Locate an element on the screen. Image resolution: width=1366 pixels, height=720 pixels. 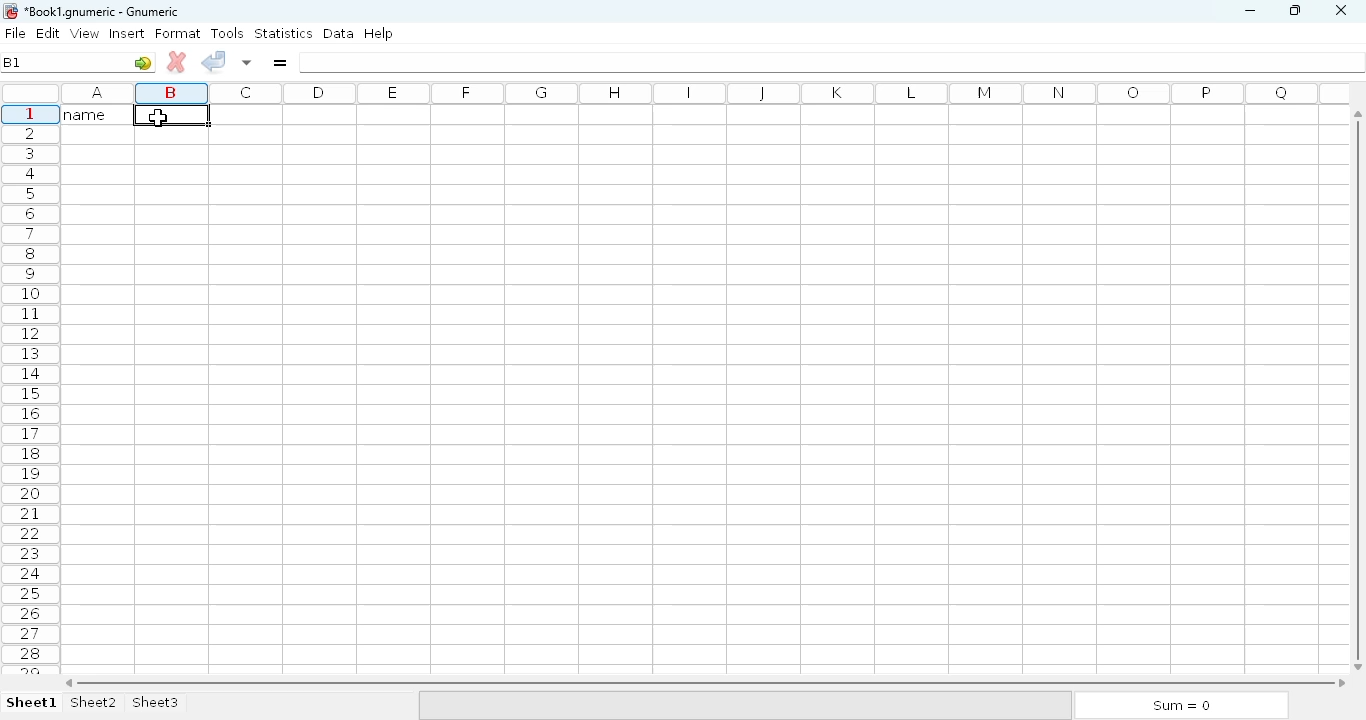
edit is located at coordinates (49, 33).